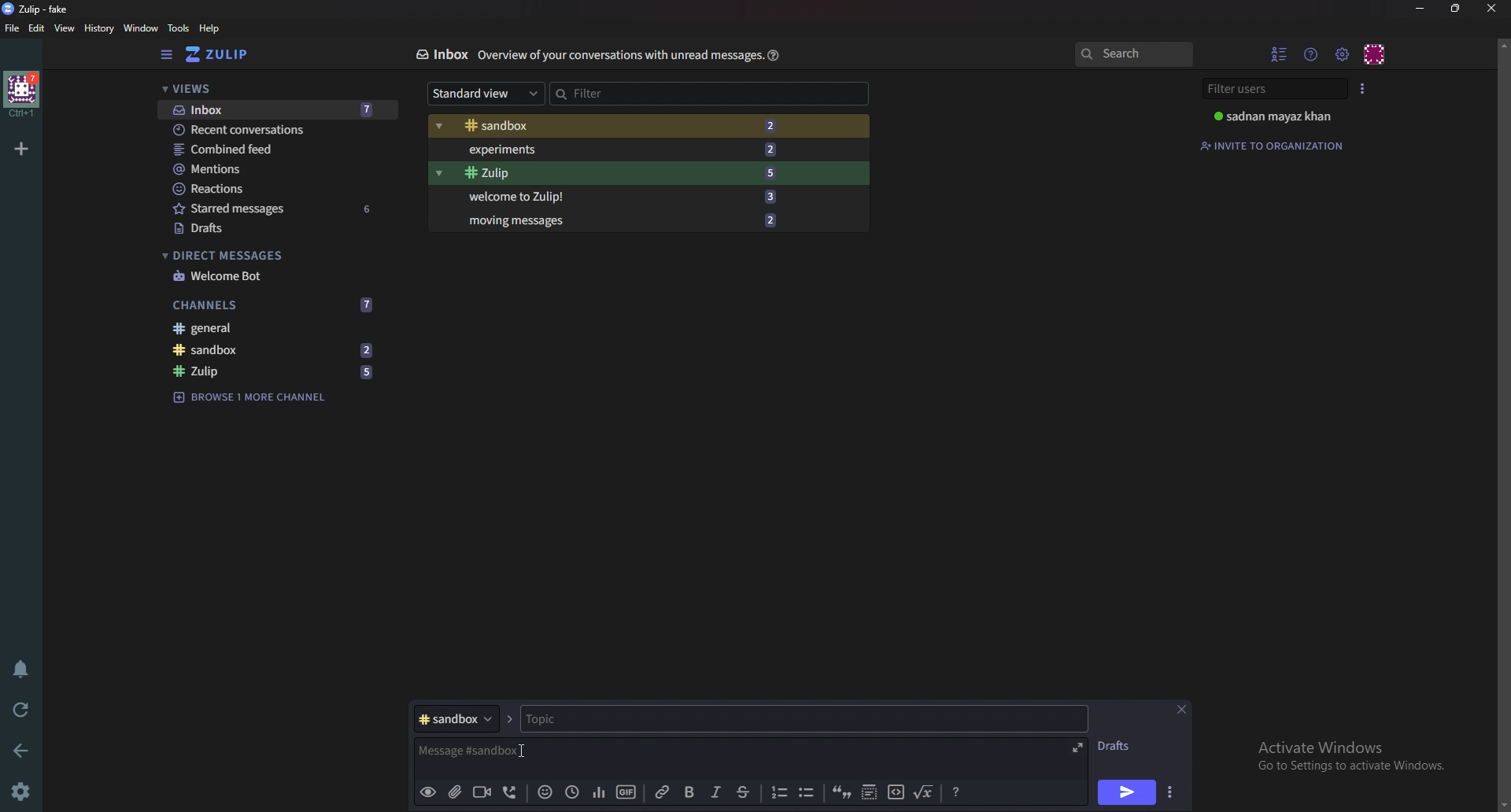 This screenshot has width=1511, height=812. Describe the element at coordinates (1120, 746) in the screenshot. I see `Drafts` at that location.